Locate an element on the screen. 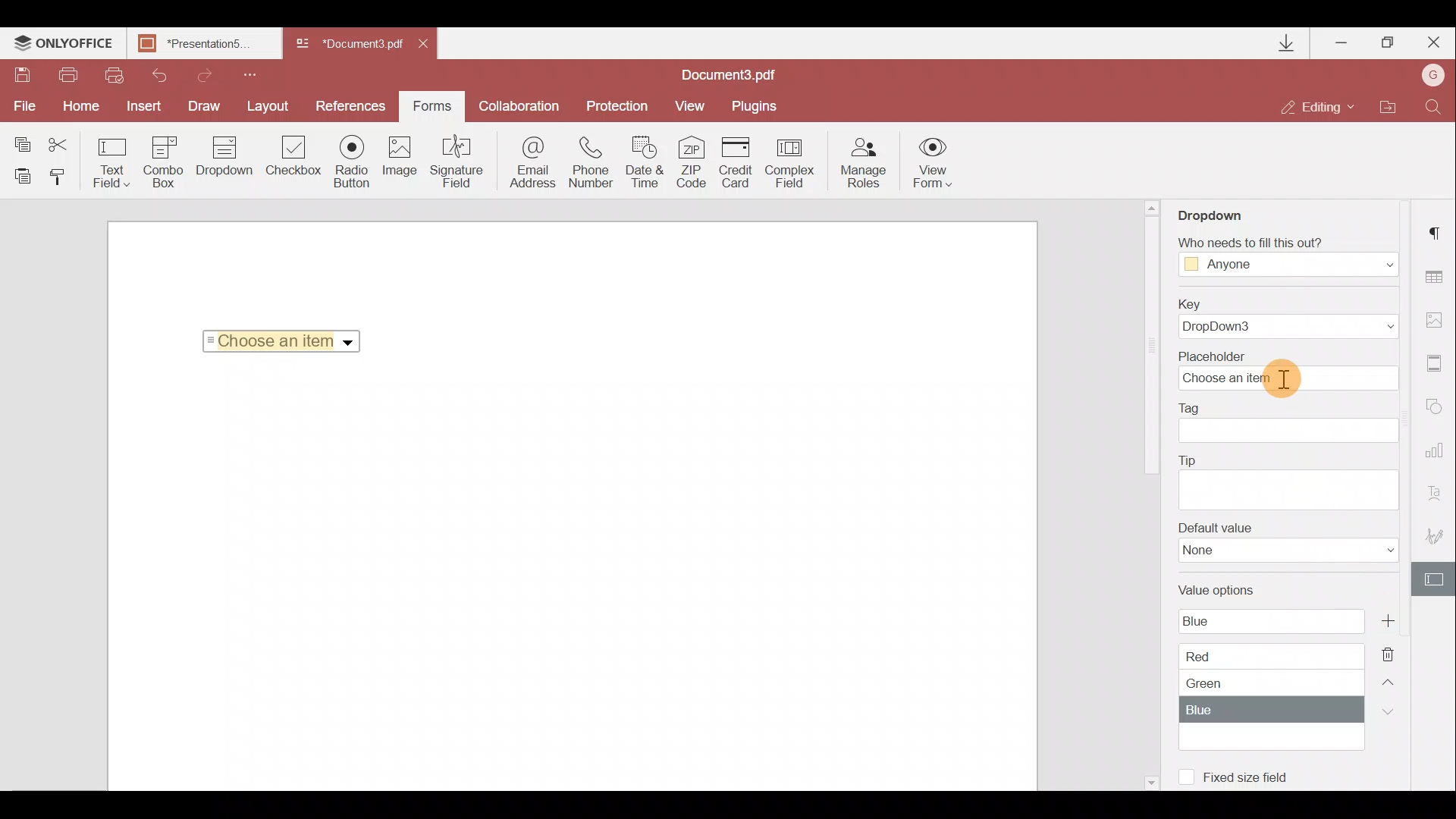  Manage roles is located at coordinates (864, 163).